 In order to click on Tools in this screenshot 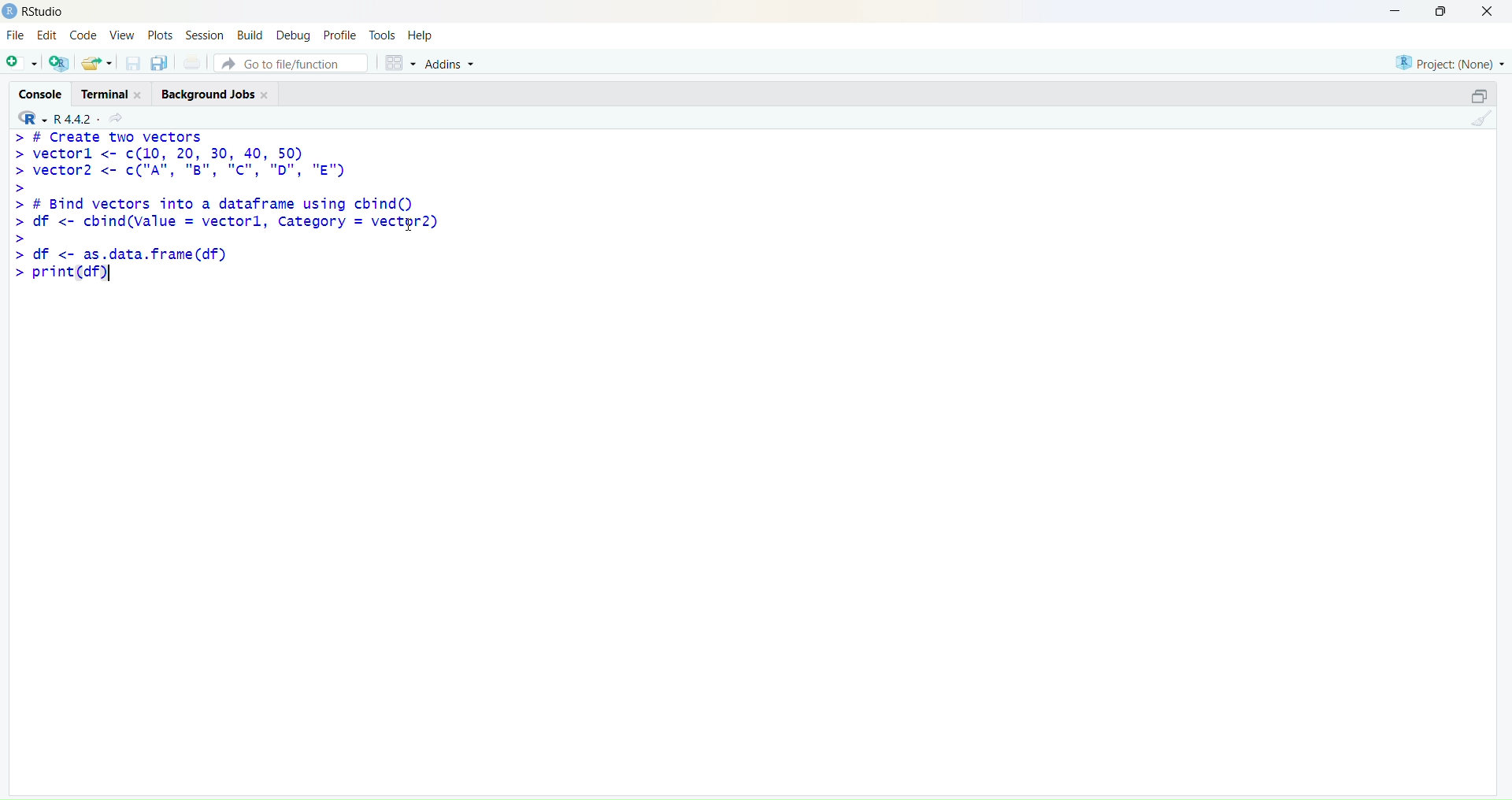, I will do `click(383, 35)`.